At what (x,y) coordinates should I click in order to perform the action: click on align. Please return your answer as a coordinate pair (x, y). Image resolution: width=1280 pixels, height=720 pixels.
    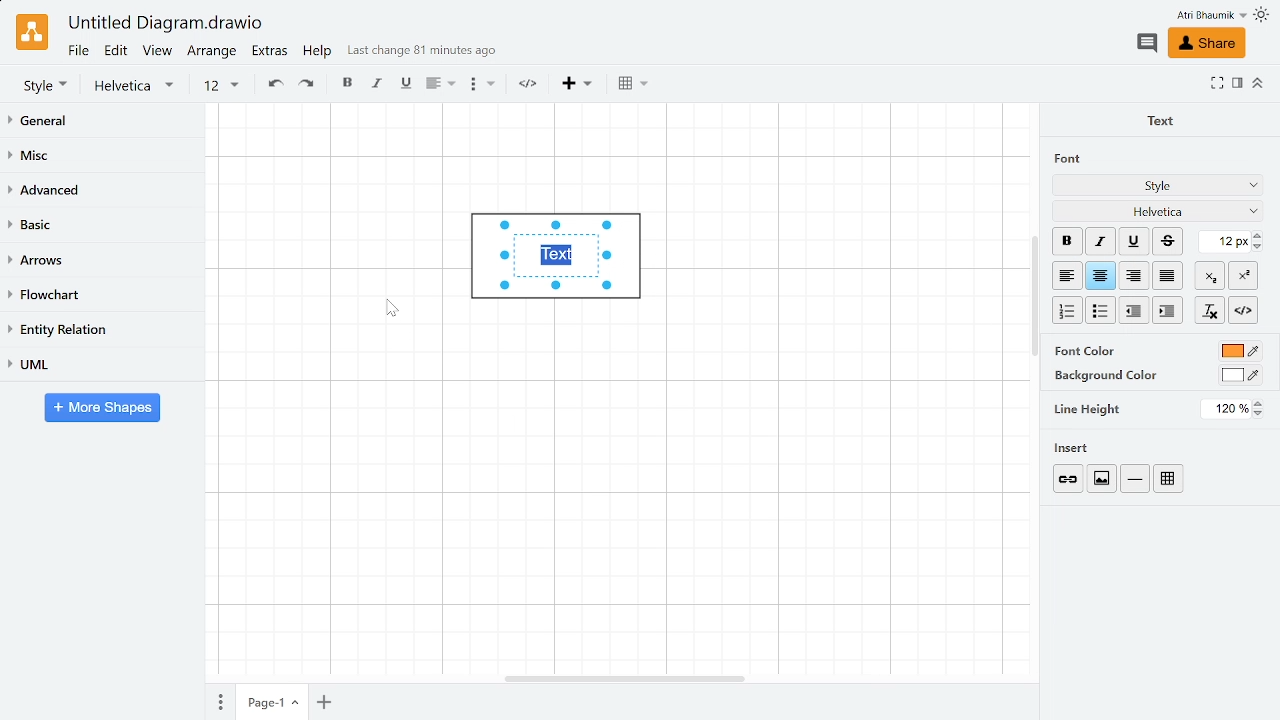
    Looking at the image, I should click on (438, 85).